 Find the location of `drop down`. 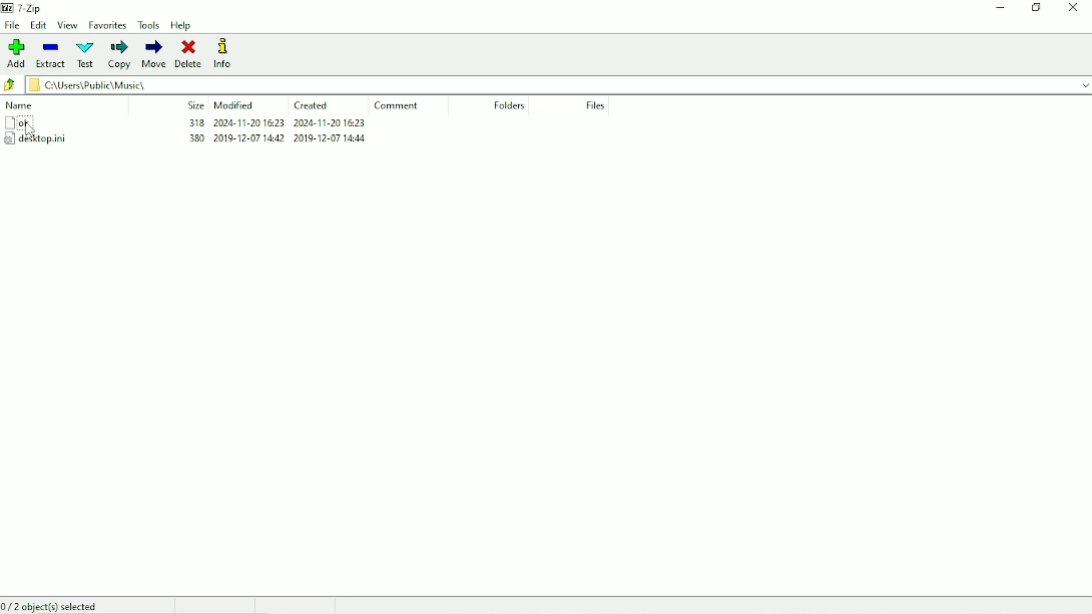

drop down is located at coordinates (1085, 84).